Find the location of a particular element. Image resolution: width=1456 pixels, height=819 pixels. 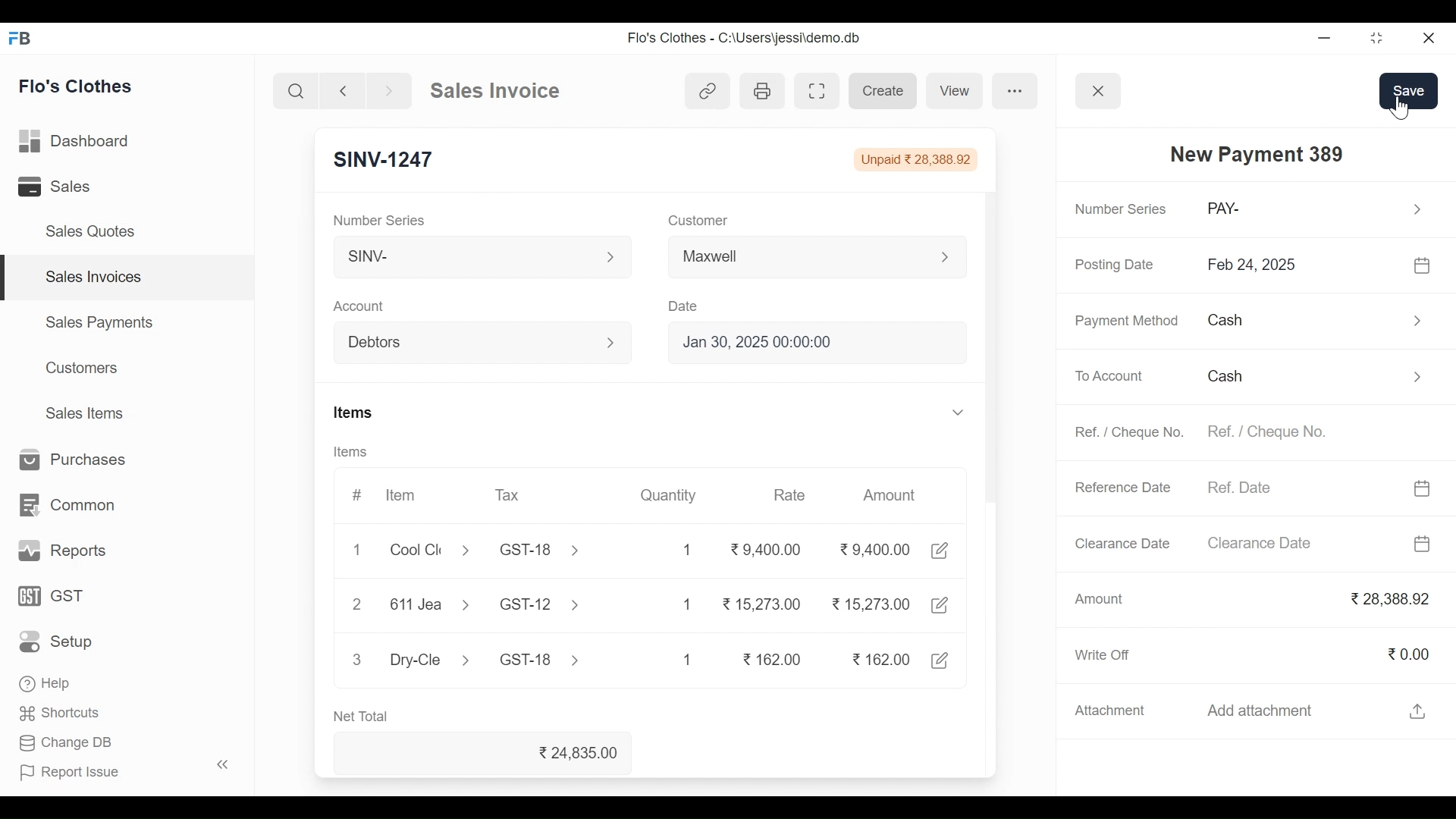

To Account is located at coordinates (1112, 377).